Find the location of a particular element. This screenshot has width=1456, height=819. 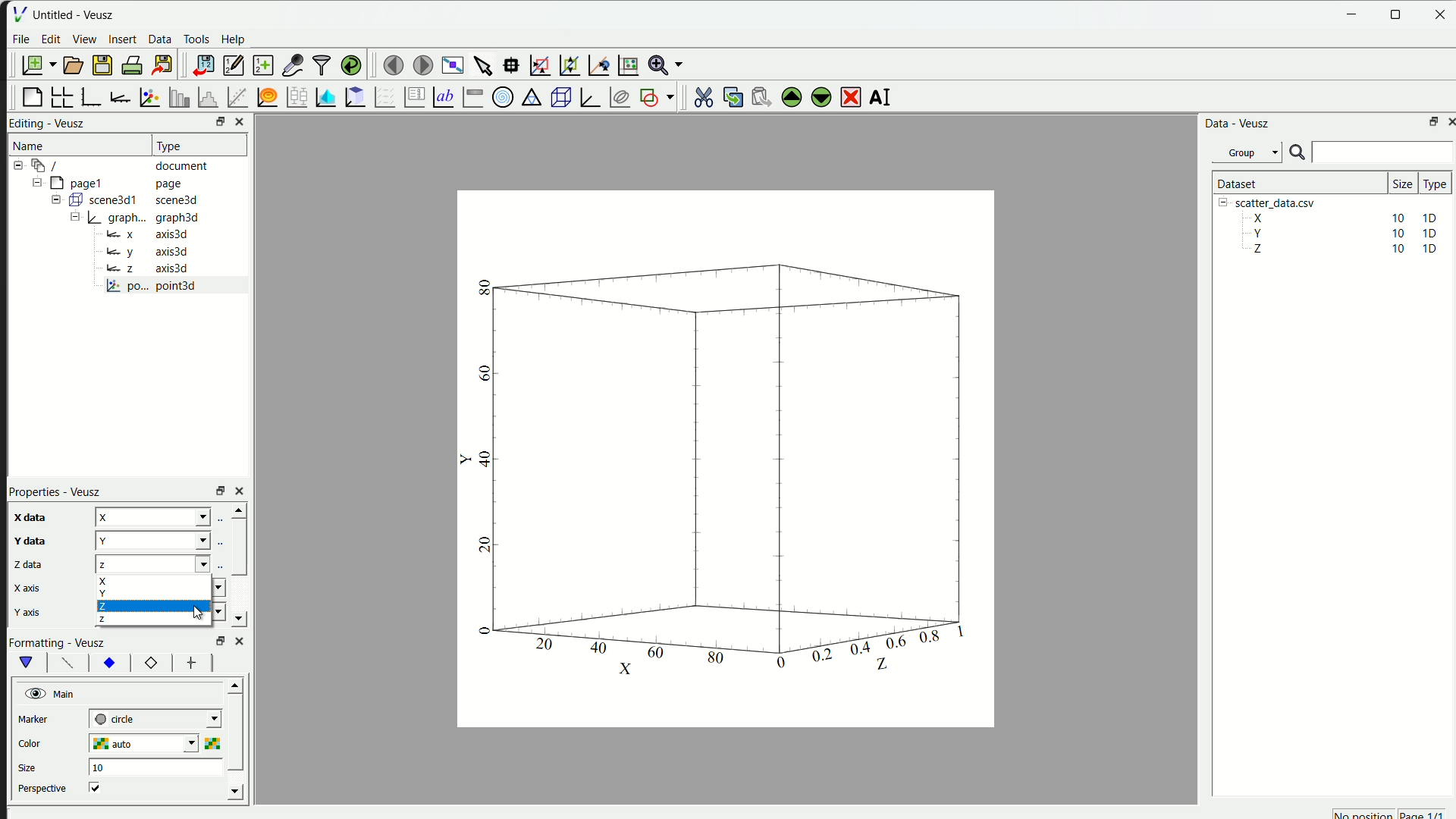

move to the next page is located at coordinates (420, 64).